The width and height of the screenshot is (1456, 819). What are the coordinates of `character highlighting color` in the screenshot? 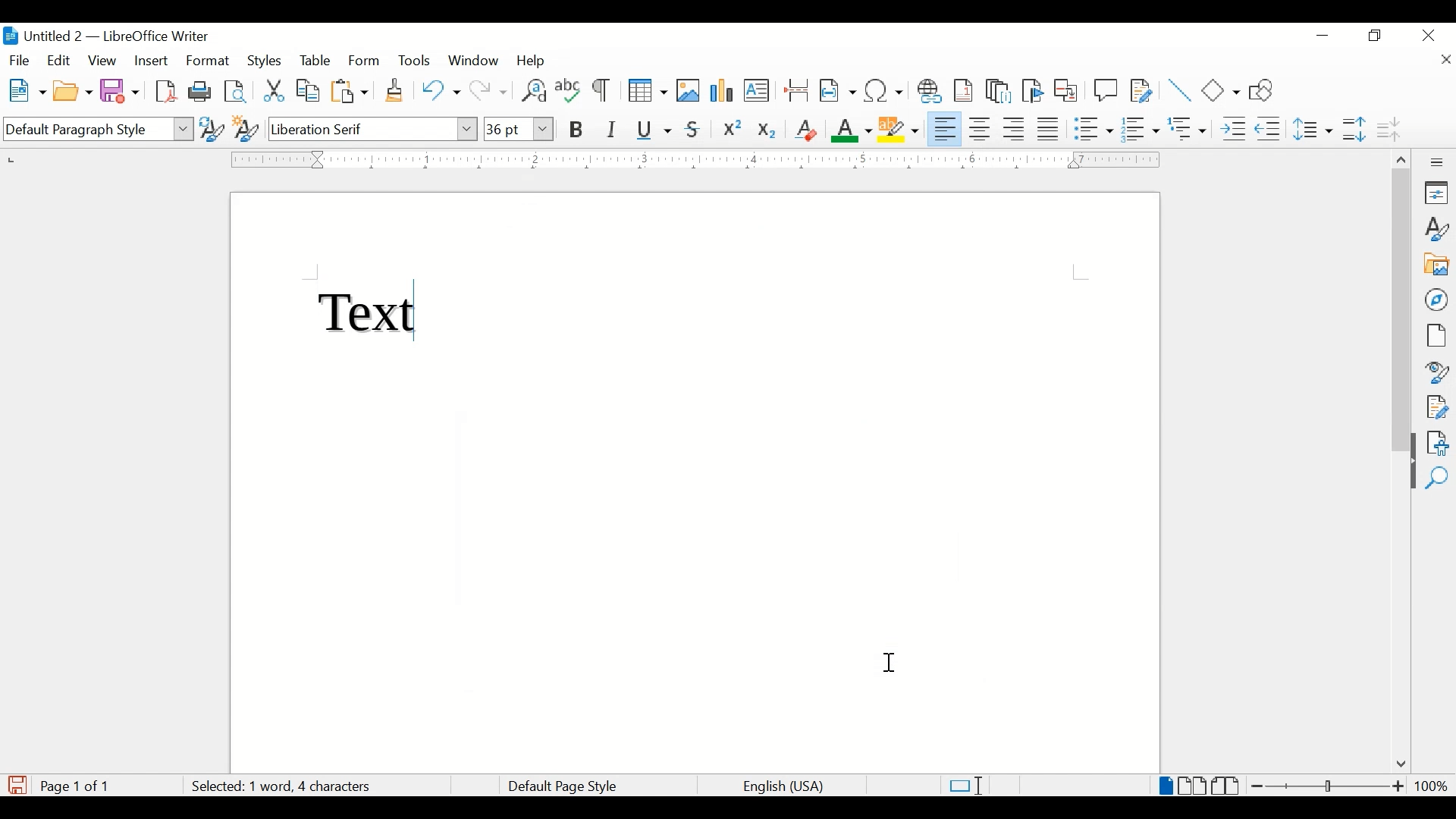 It's located at (900, 128).